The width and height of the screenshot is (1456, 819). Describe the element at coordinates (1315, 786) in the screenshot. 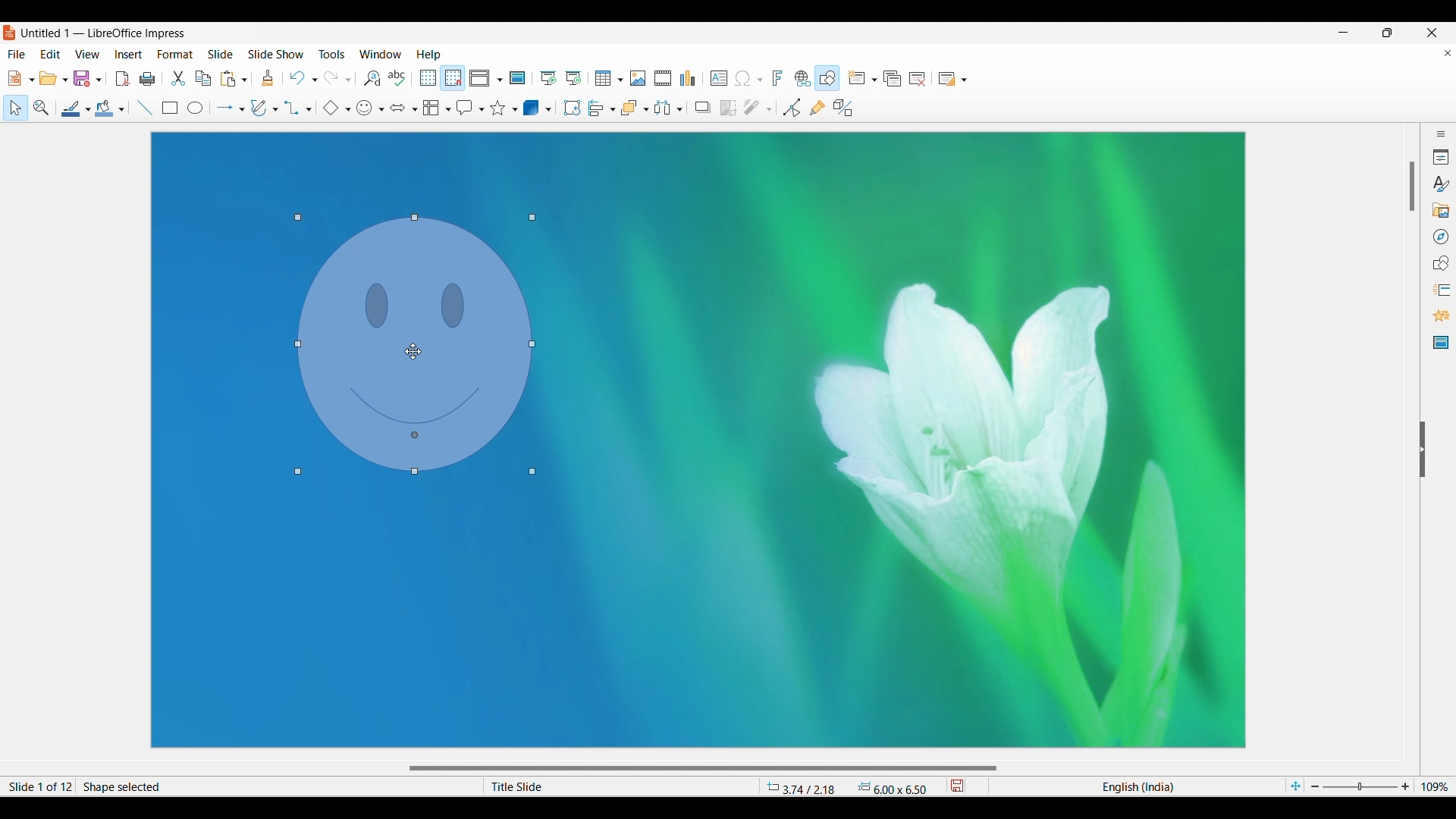

I see `Zoom out` at that location.